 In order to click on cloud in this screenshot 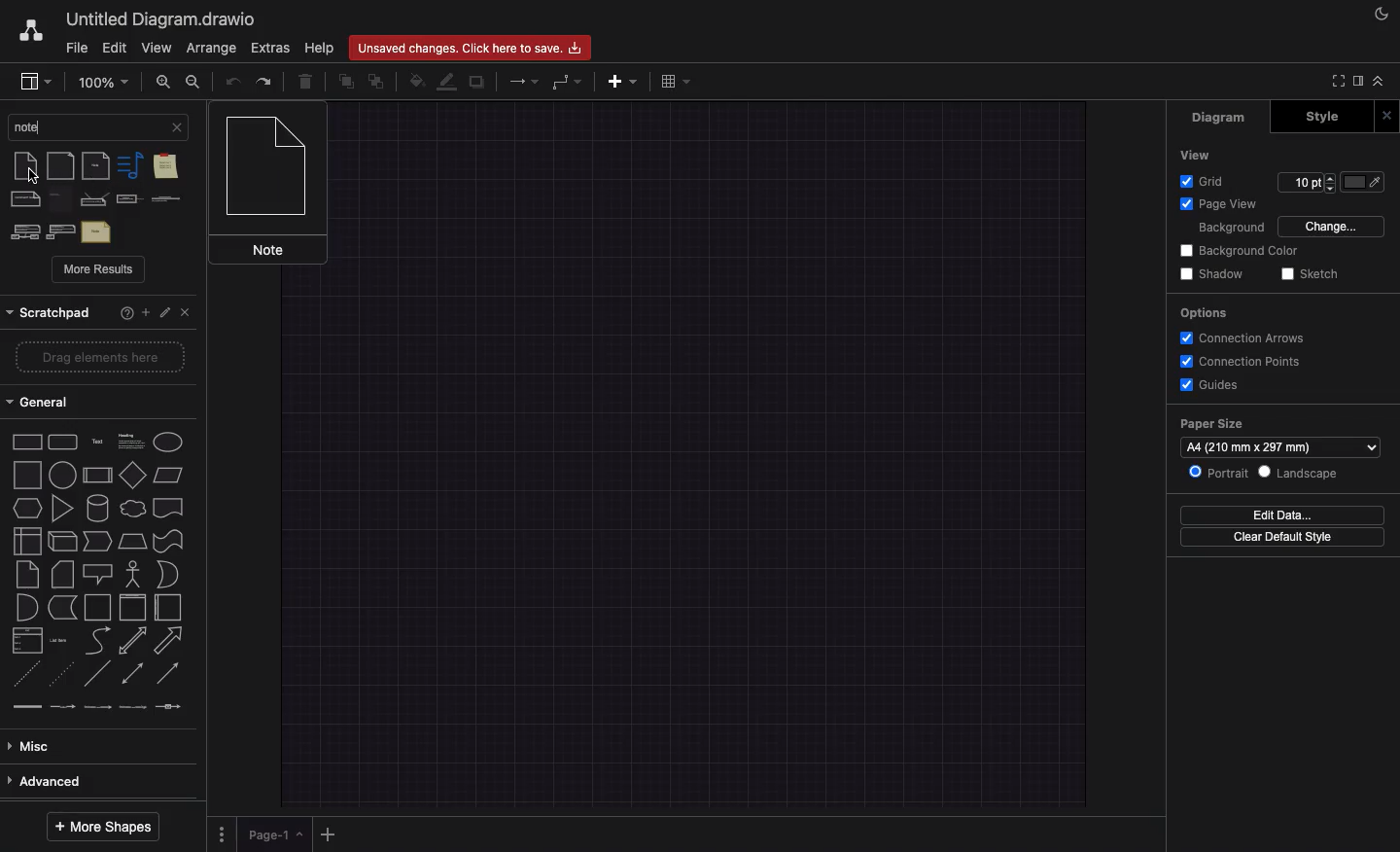, I will do `click(134, 510)`.